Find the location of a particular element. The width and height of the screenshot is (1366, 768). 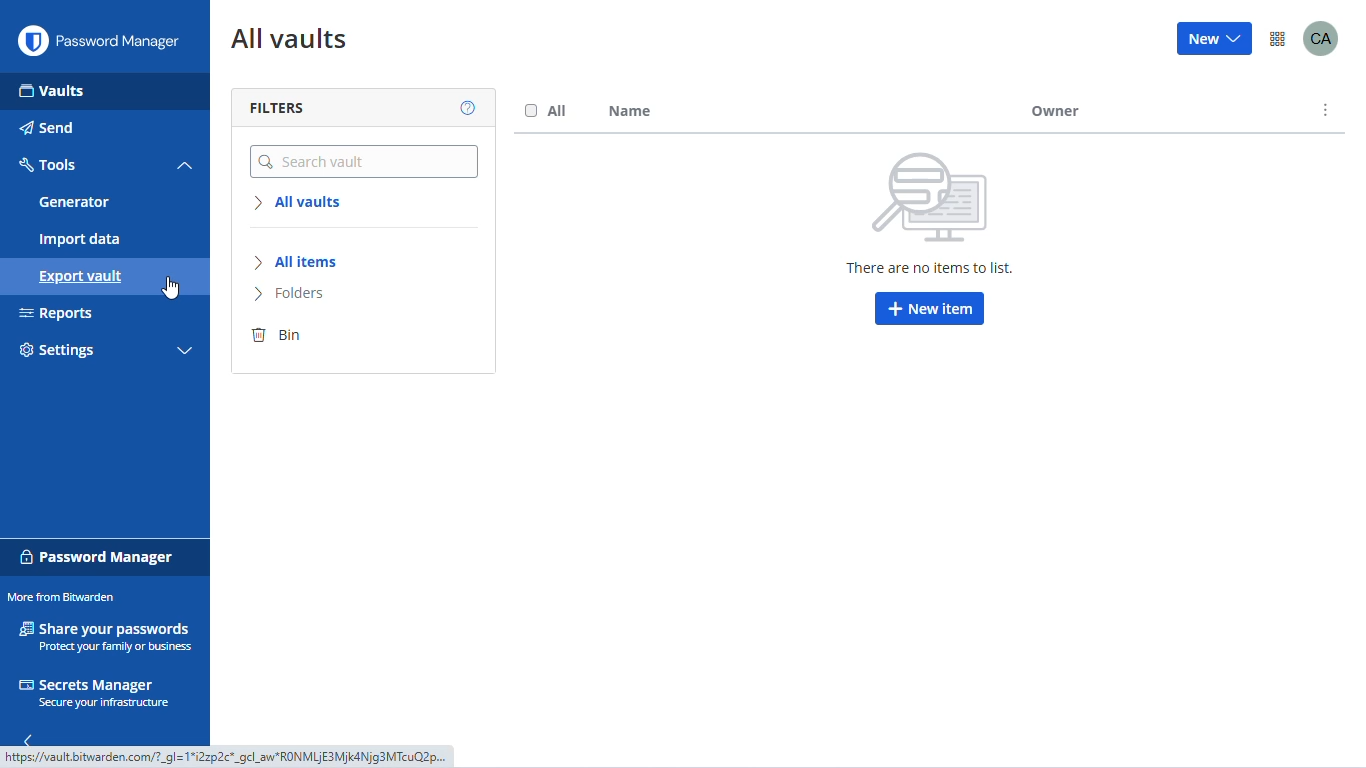

settings is located at coordinates (57, 351).